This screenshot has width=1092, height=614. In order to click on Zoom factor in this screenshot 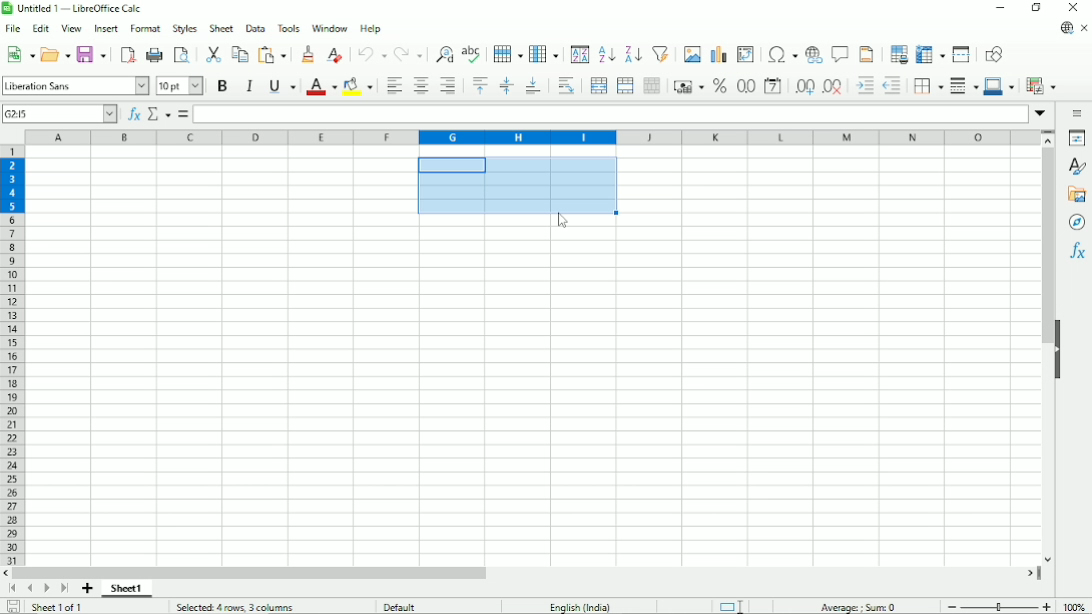, I will do `click(1077, 607)`.